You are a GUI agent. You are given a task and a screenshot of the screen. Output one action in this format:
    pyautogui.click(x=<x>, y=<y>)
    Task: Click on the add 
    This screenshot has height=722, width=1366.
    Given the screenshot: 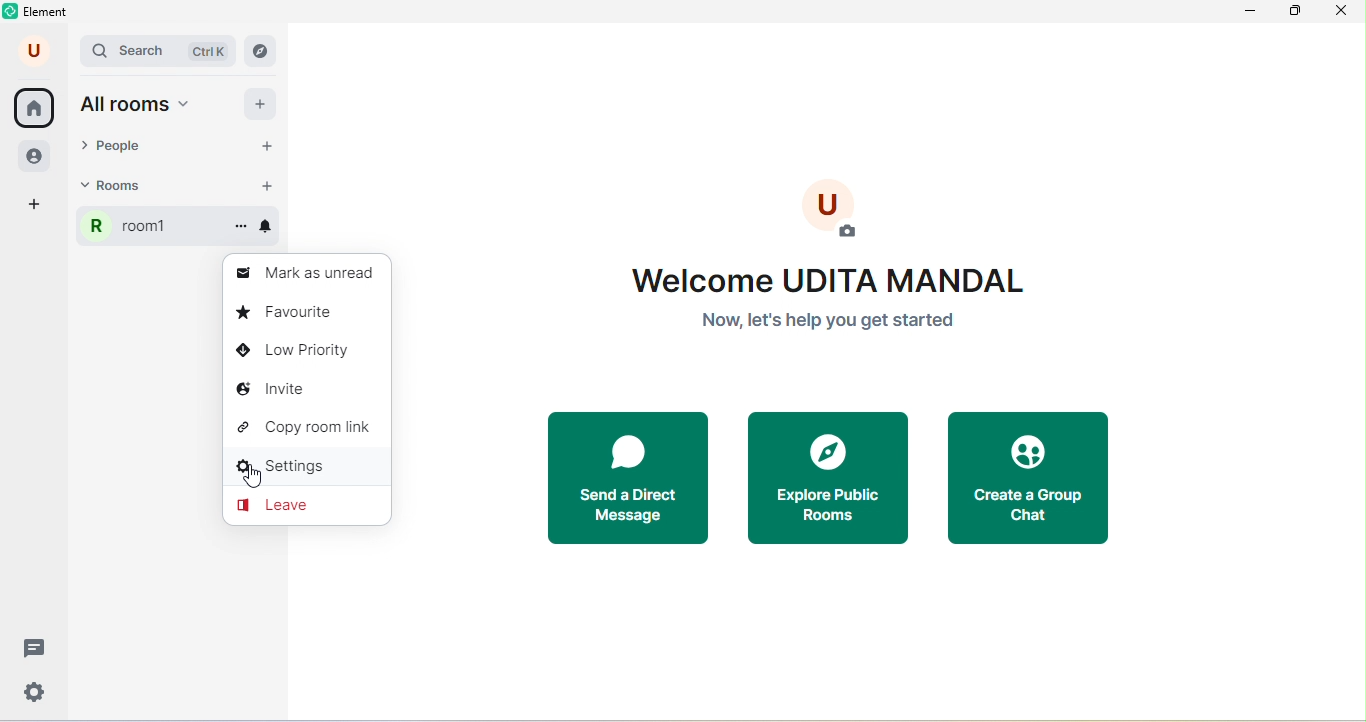 What is the action you would take?
    pyautogui.click(x=260, y=103)
    